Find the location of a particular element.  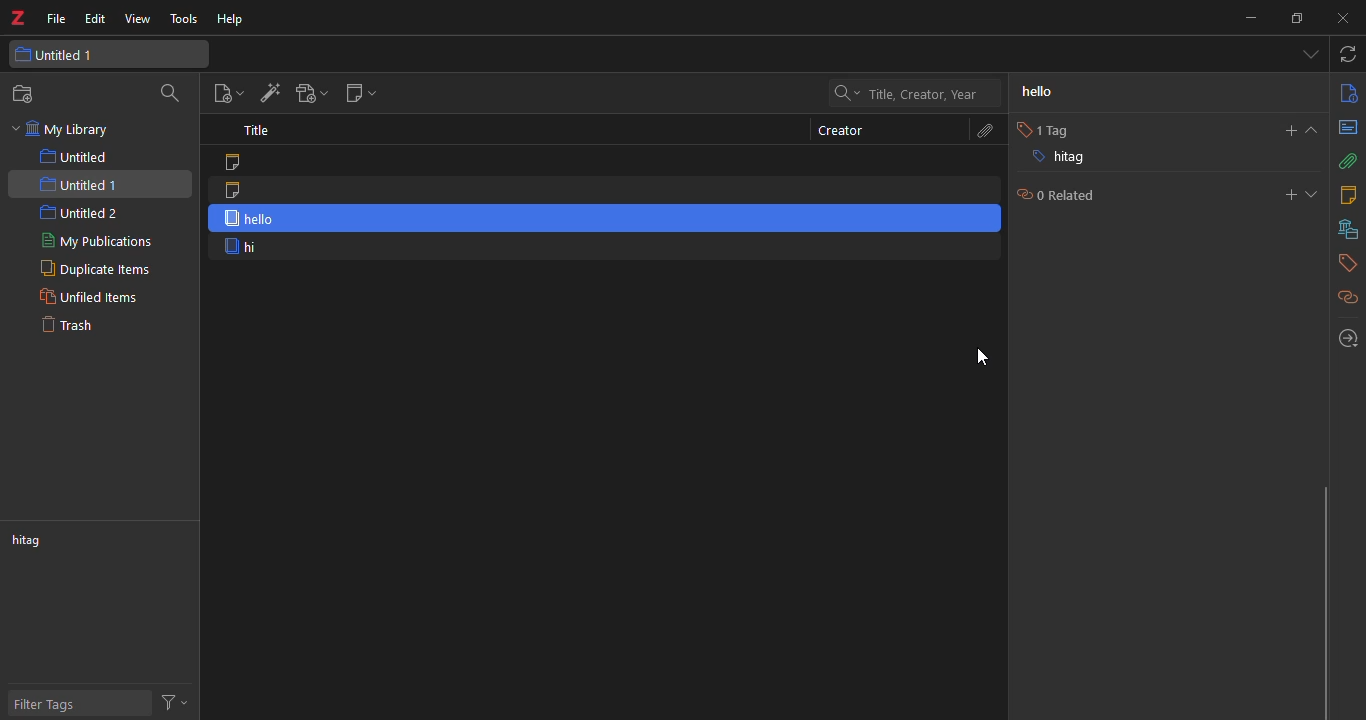

actions is located at coordinates (177, 702).